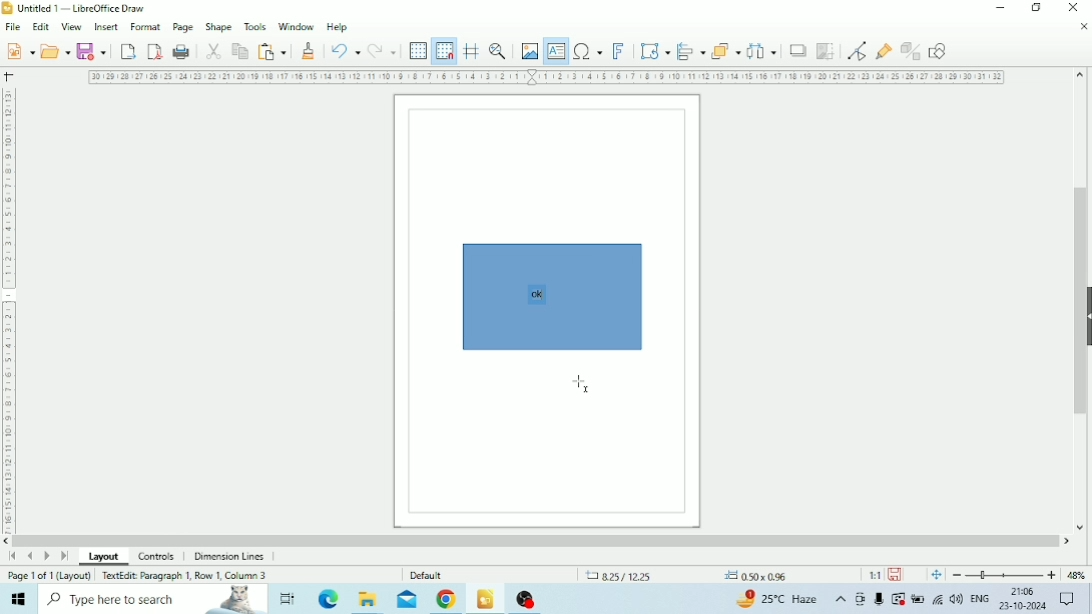 This screenshot has width=1092, height=614. I want to click on Toggle Extrusion, so click(910, 51).